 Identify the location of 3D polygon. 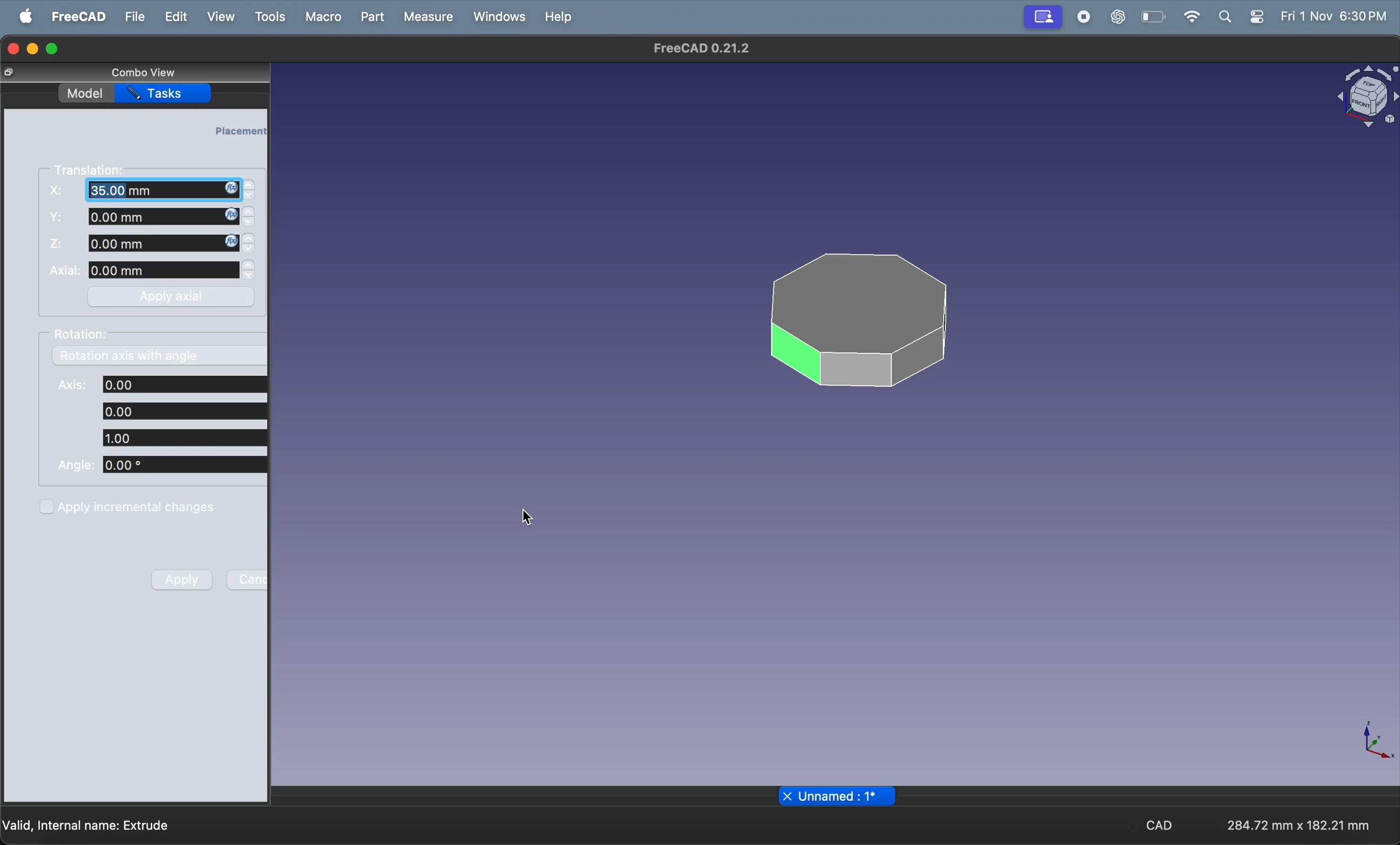
(855, 320).